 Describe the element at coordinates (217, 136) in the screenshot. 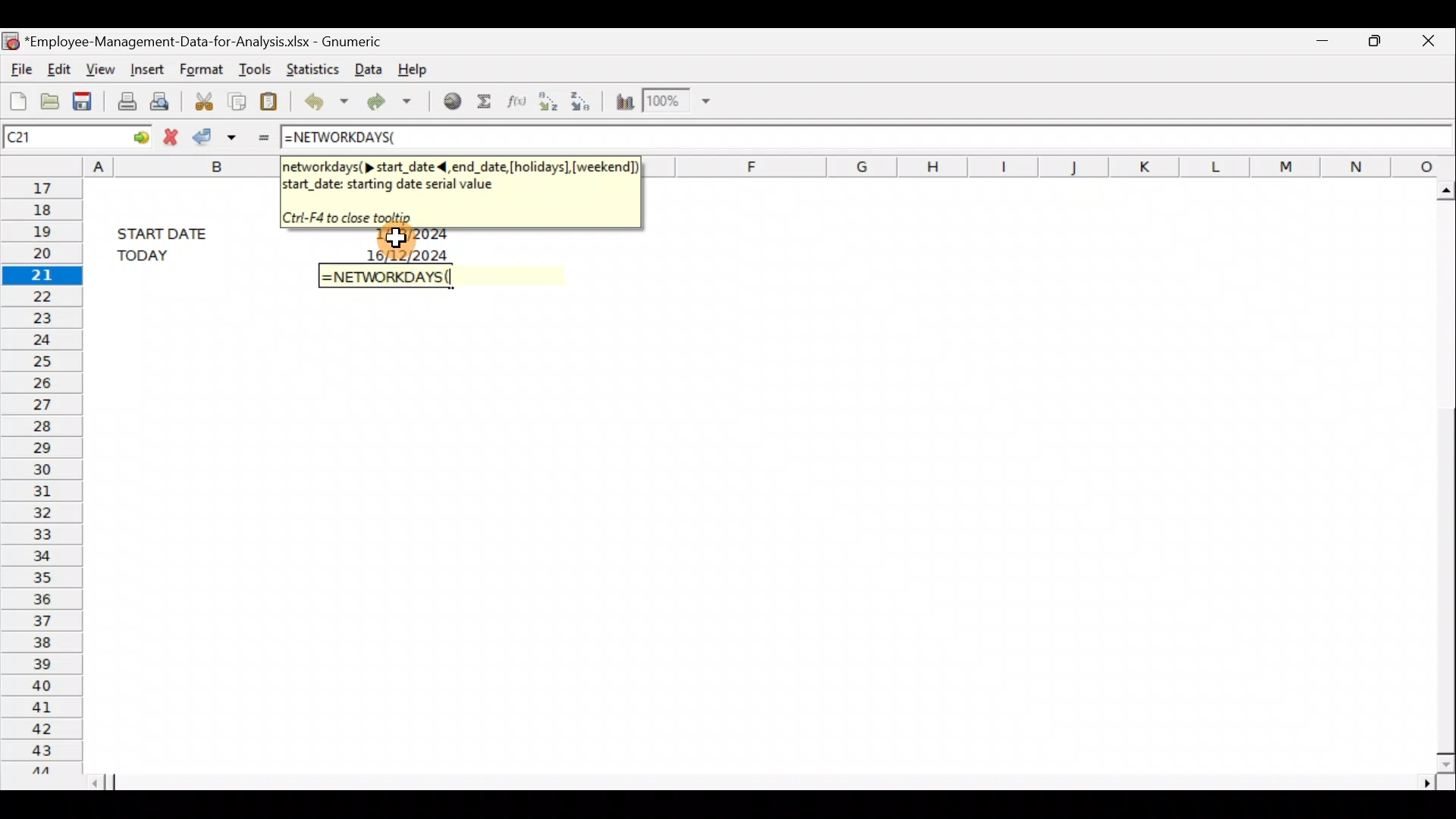

I see `Accept change` at that location.